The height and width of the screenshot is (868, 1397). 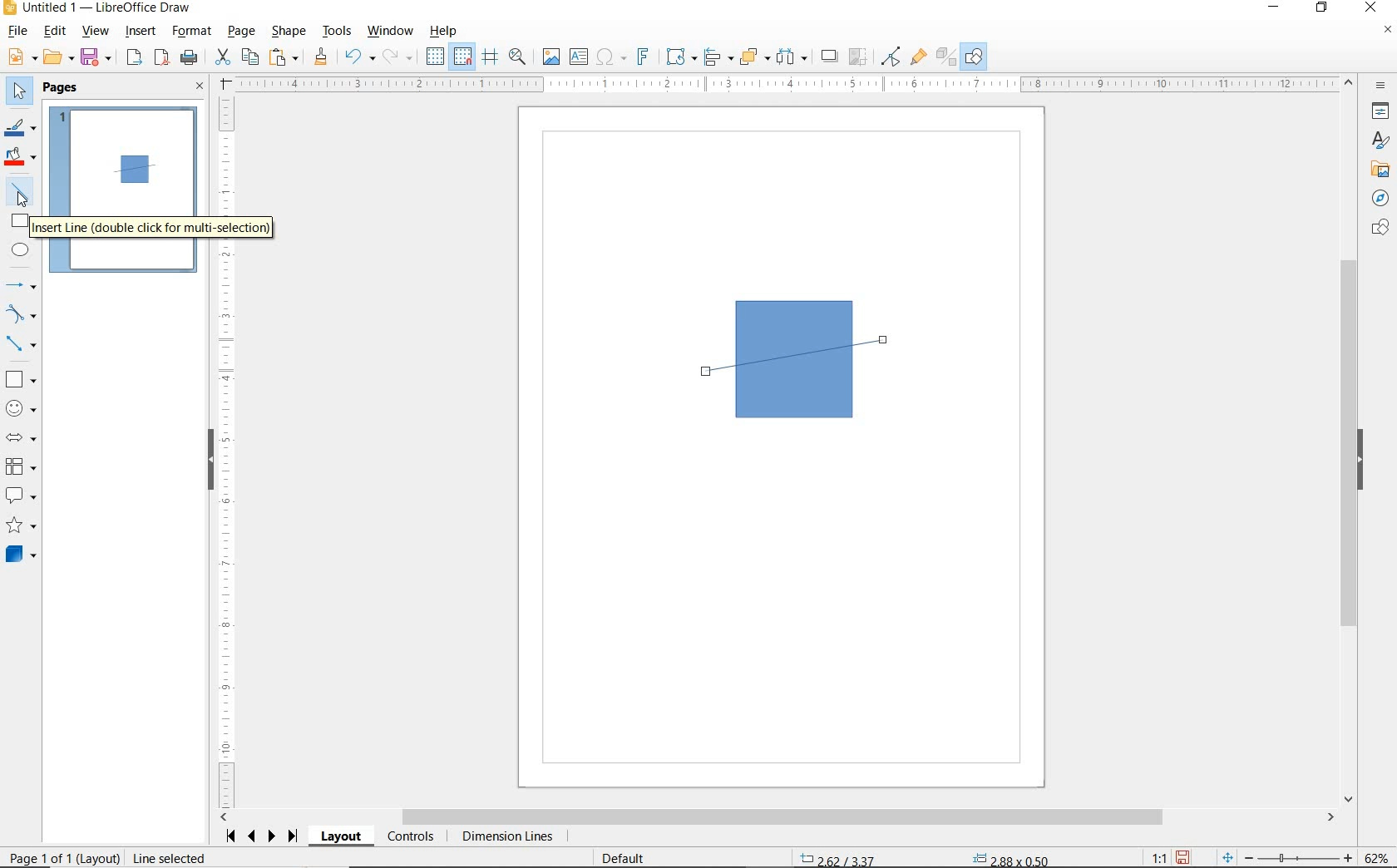 I want to click on LINE TOOL AT DRAG, so click(x=886, y=339).